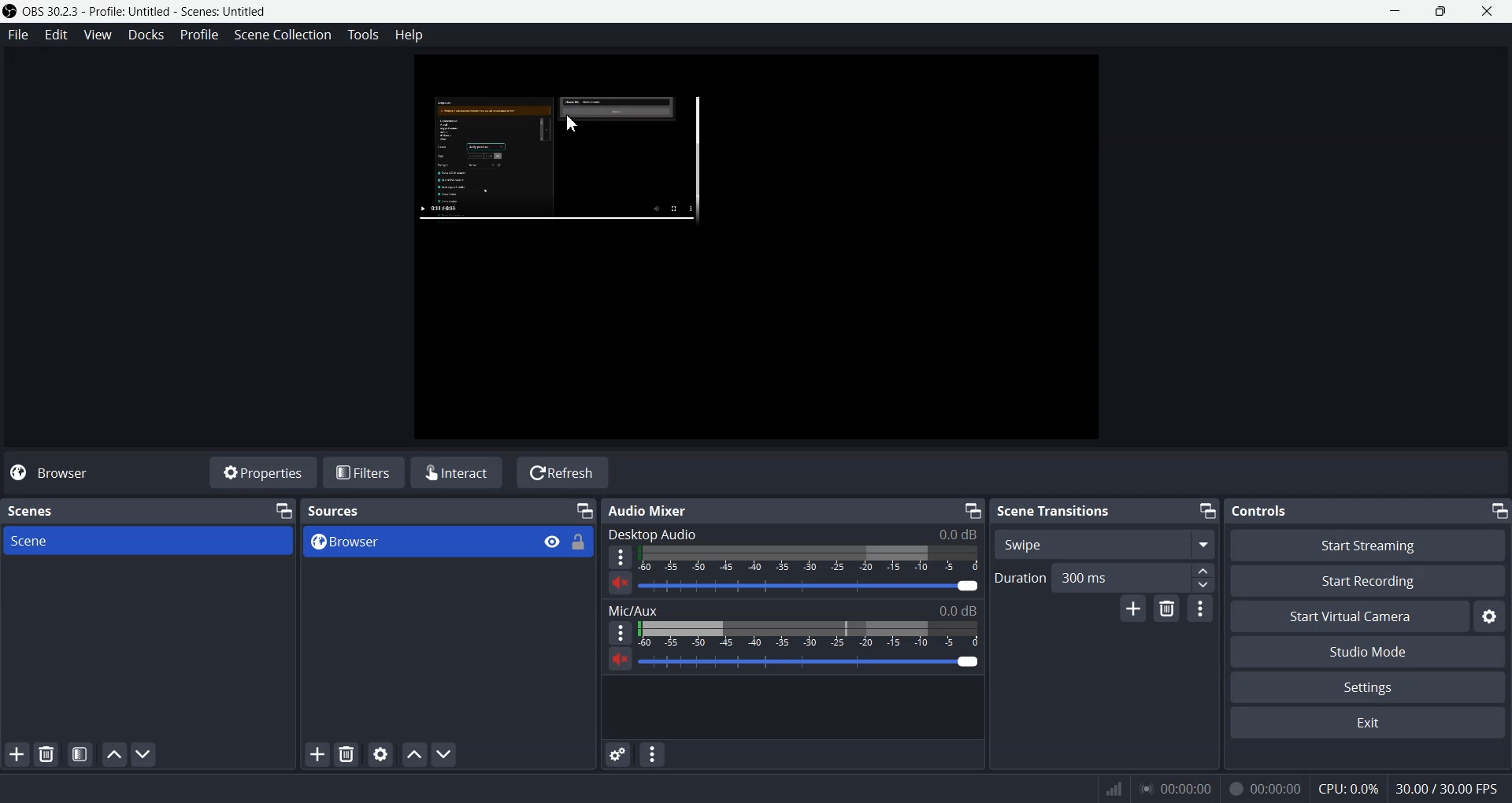 The image size is (1512, 803). I want to click on Signals, so click(1104, 786).